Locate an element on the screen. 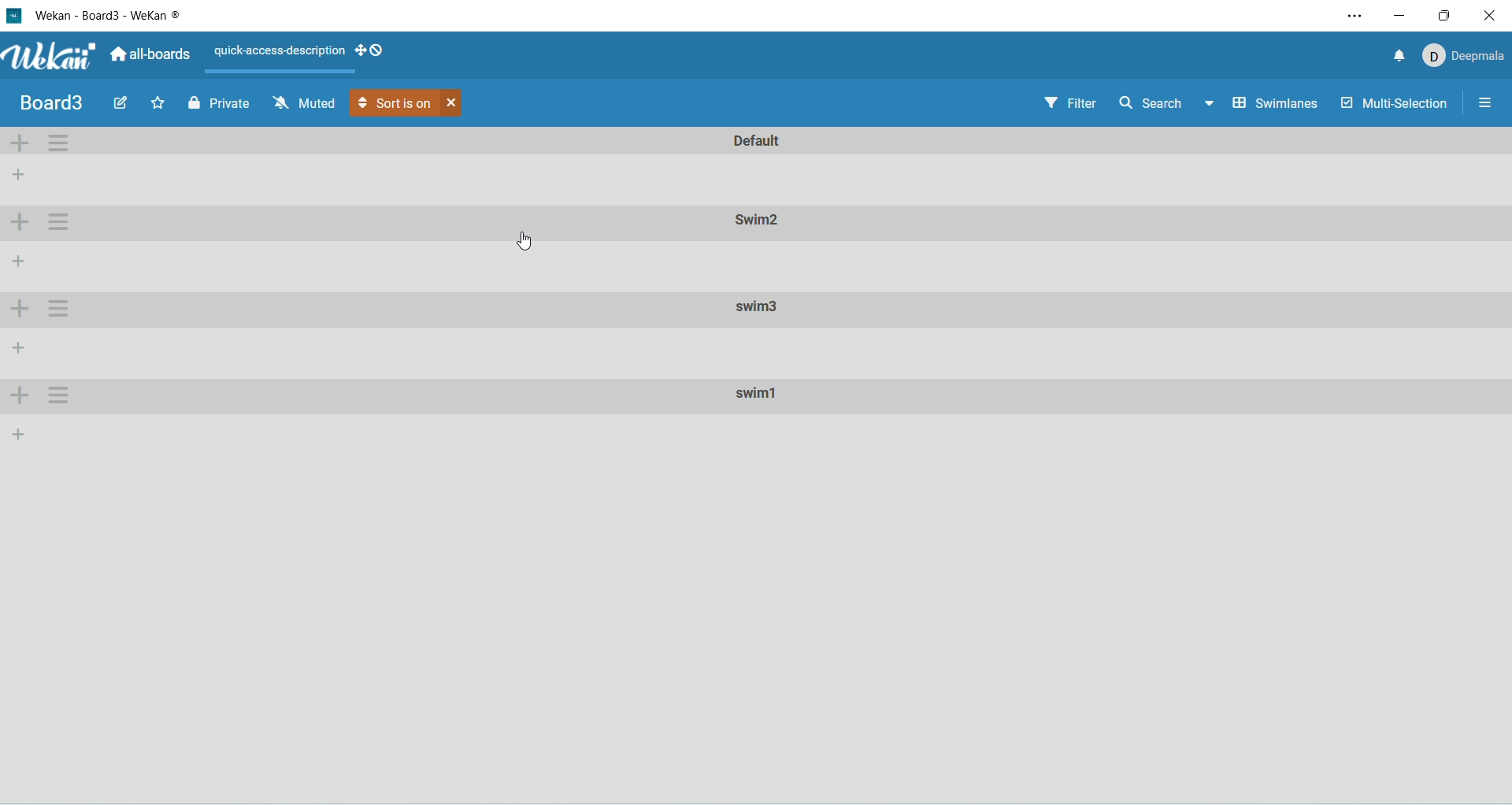 The height and width of the screenshot is (805, 1512). add list is located at coordinates (17, 344).